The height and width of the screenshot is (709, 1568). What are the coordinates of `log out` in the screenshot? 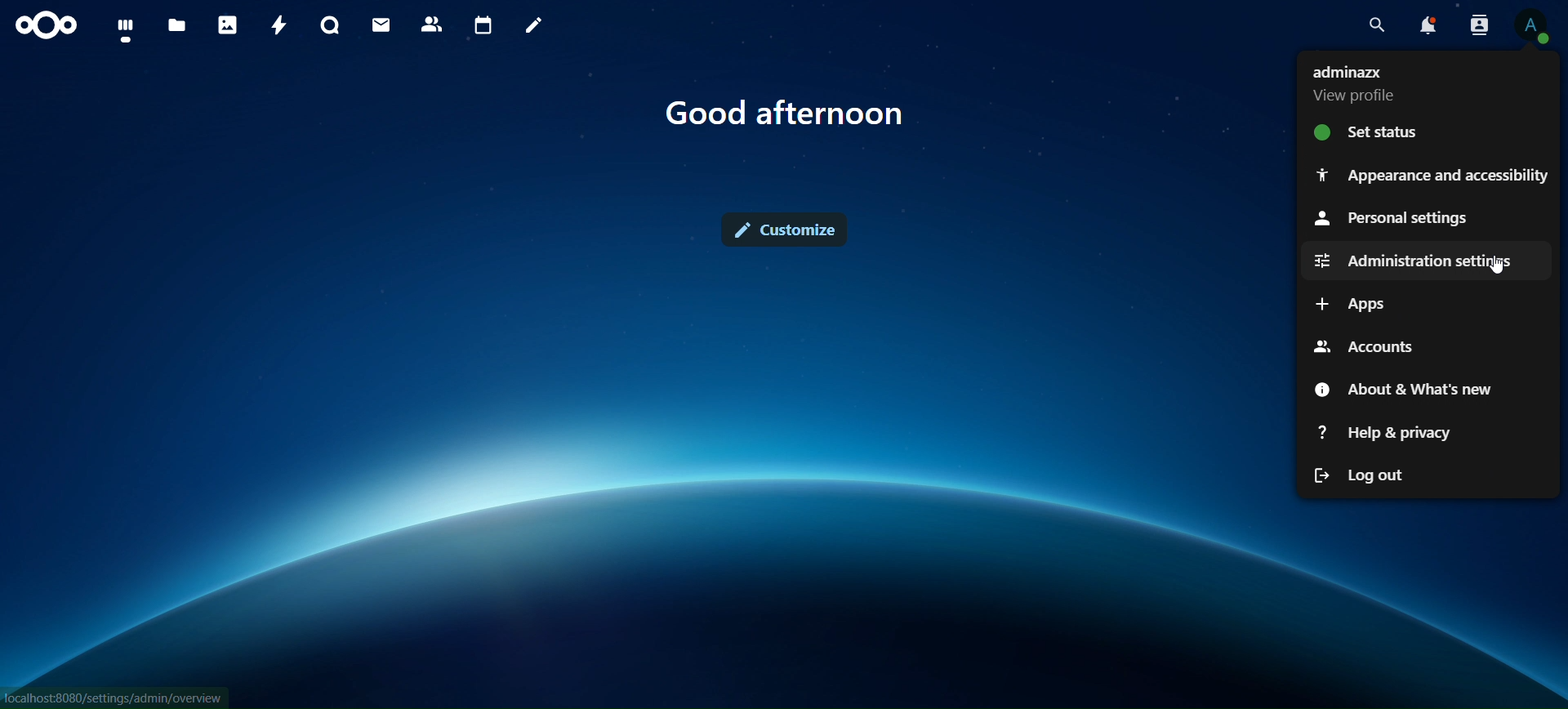 It's located at (1356, 478).